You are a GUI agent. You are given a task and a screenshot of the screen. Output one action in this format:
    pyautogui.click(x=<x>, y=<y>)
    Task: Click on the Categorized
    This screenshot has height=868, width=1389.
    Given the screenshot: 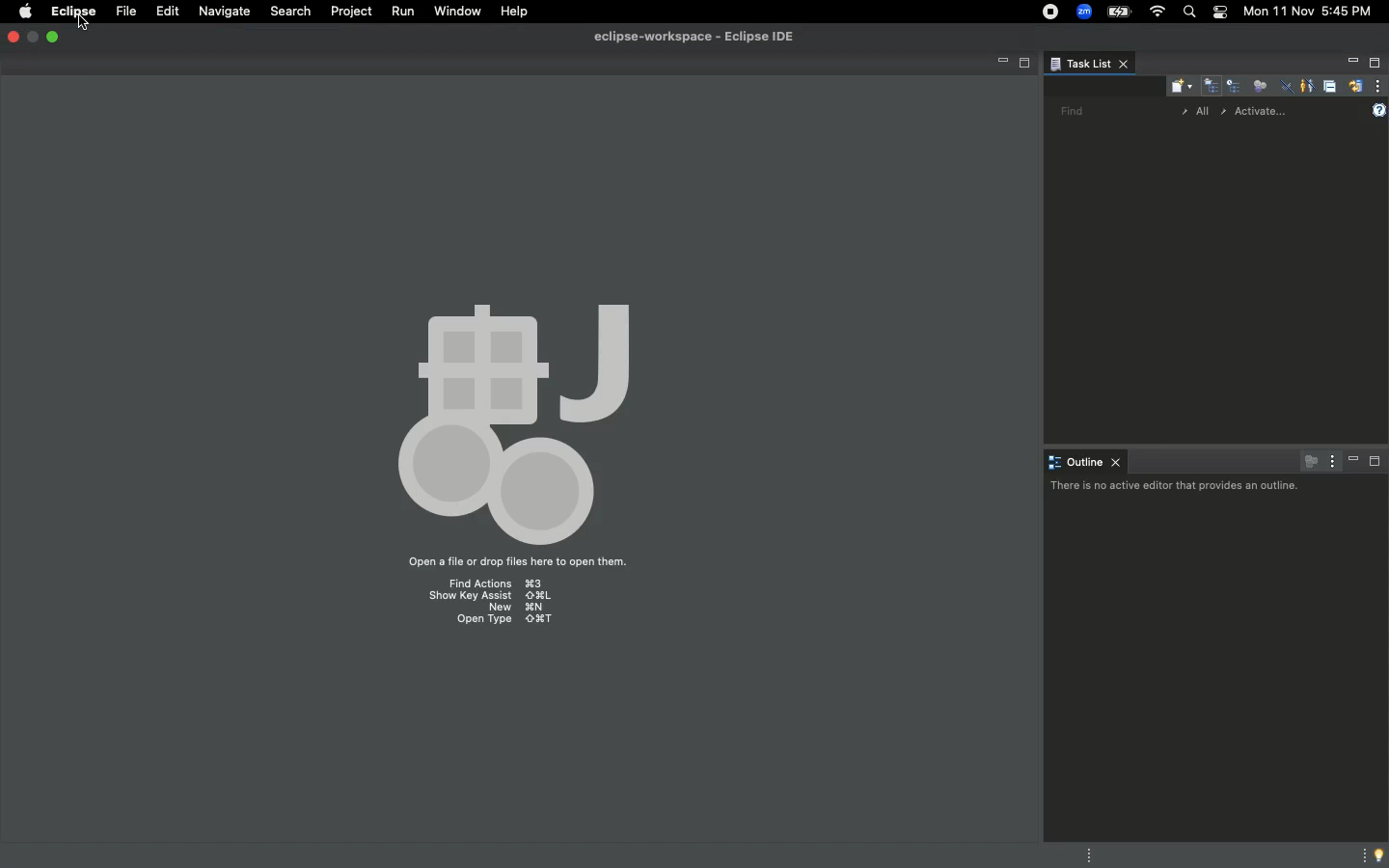 What is the action you would take?
    pyautogui.click(x=1211, y=85)
    